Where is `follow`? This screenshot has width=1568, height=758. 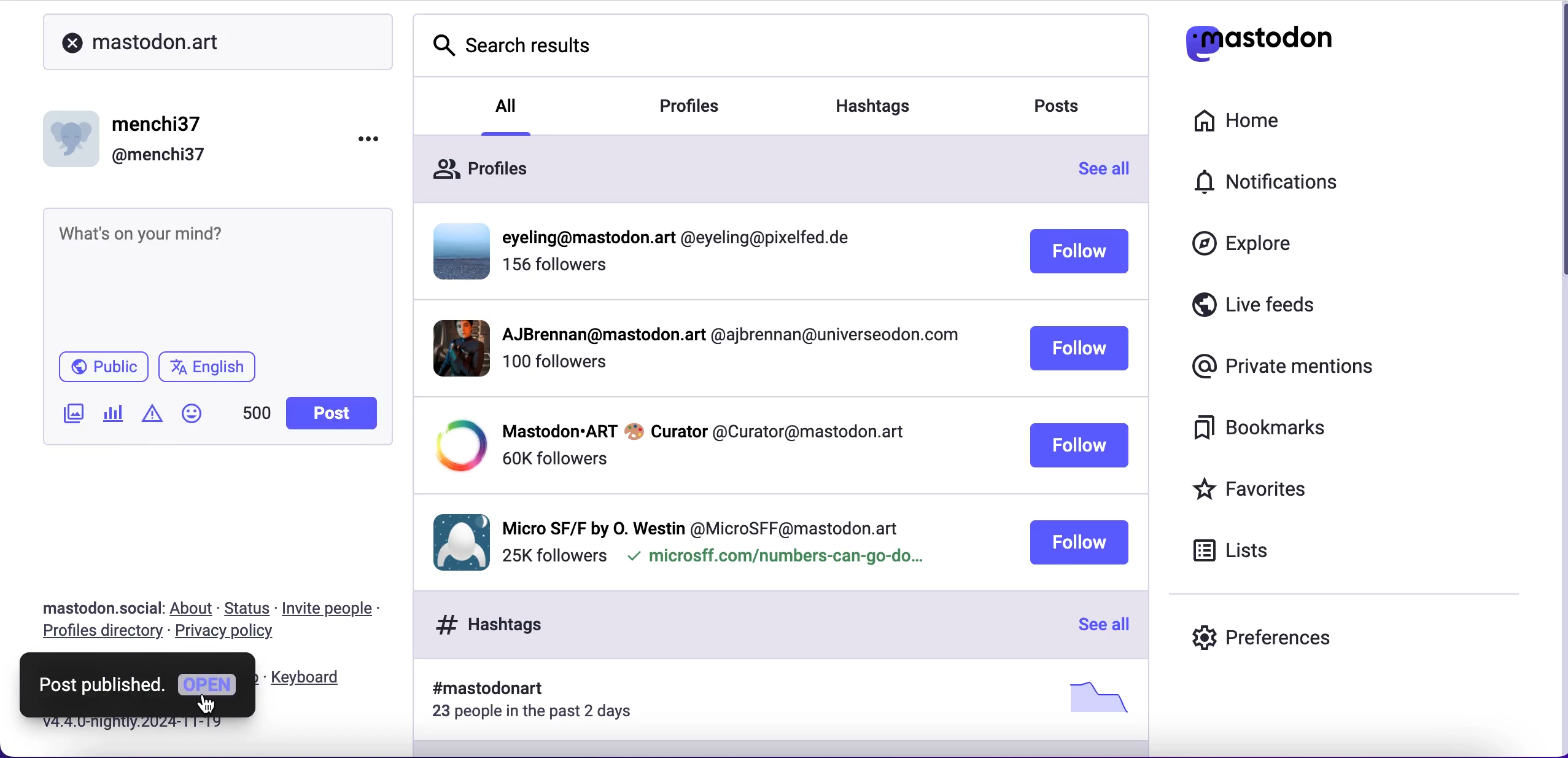
follow is located at coordinates (1080, 350).